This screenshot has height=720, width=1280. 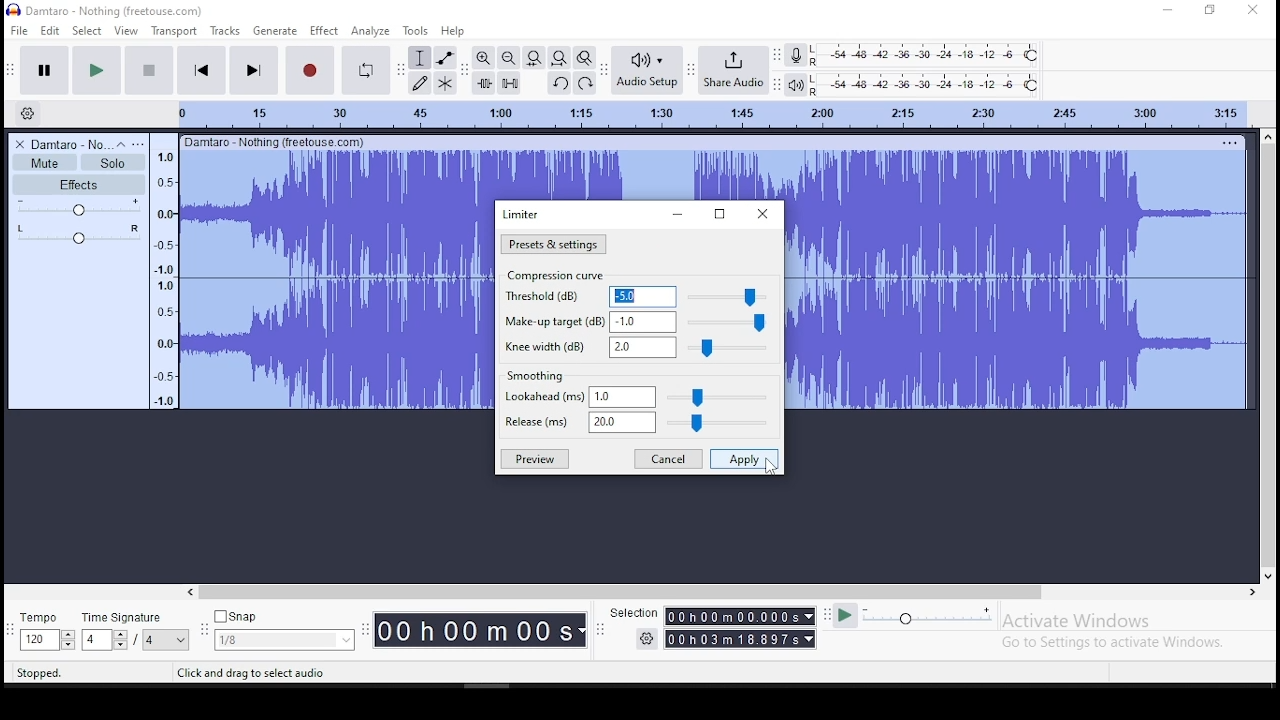 What do you see at coordinates (255, 674) in the screenshot?
I see `click and drag to select audio` at bounding box center [255, 674].